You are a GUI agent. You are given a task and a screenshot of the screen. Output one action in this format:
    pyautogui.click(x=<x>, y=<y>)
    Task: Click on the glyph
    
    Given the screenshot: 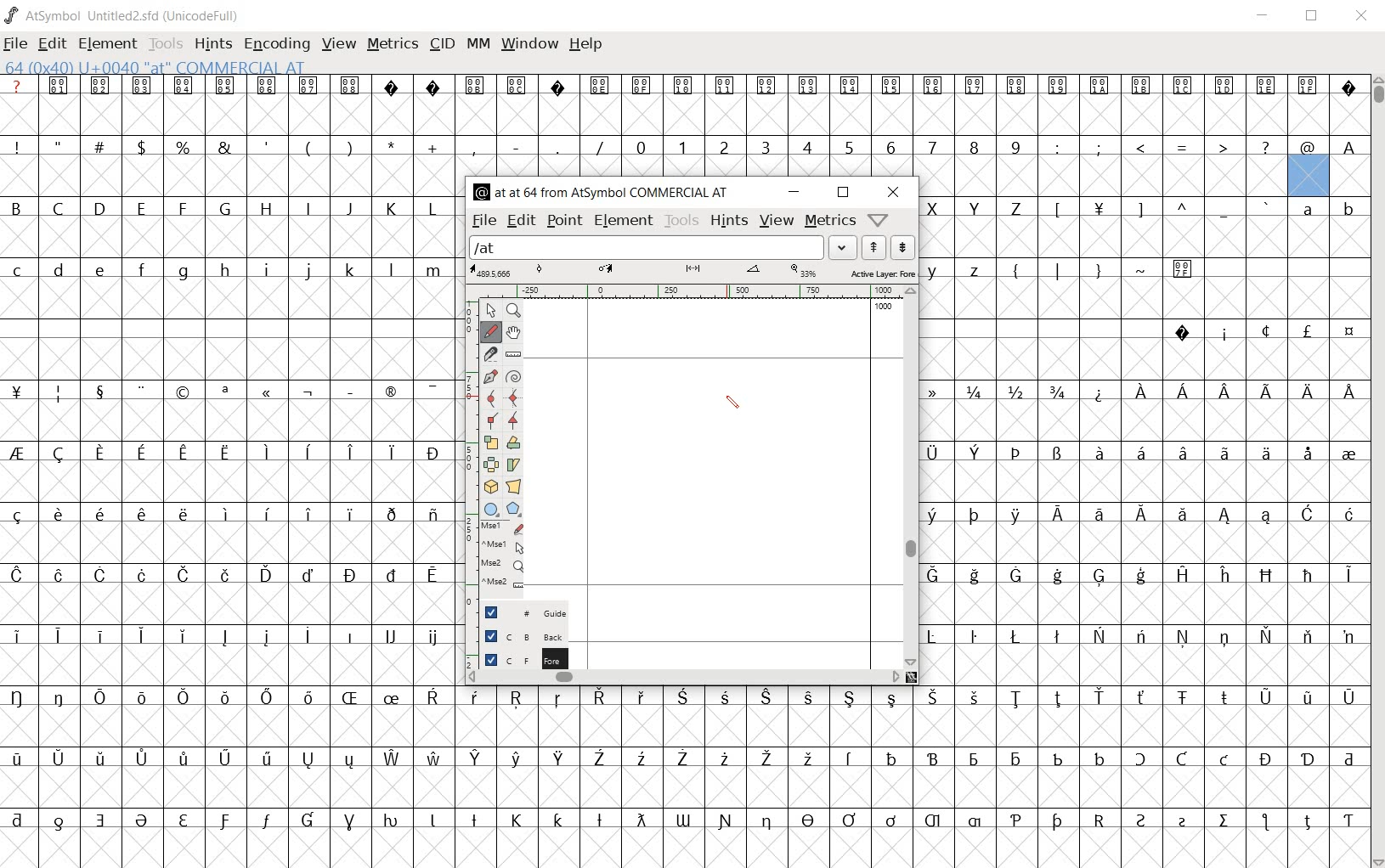 What is the action you would take?
    pyautogui.click(x=228, y=470)
    